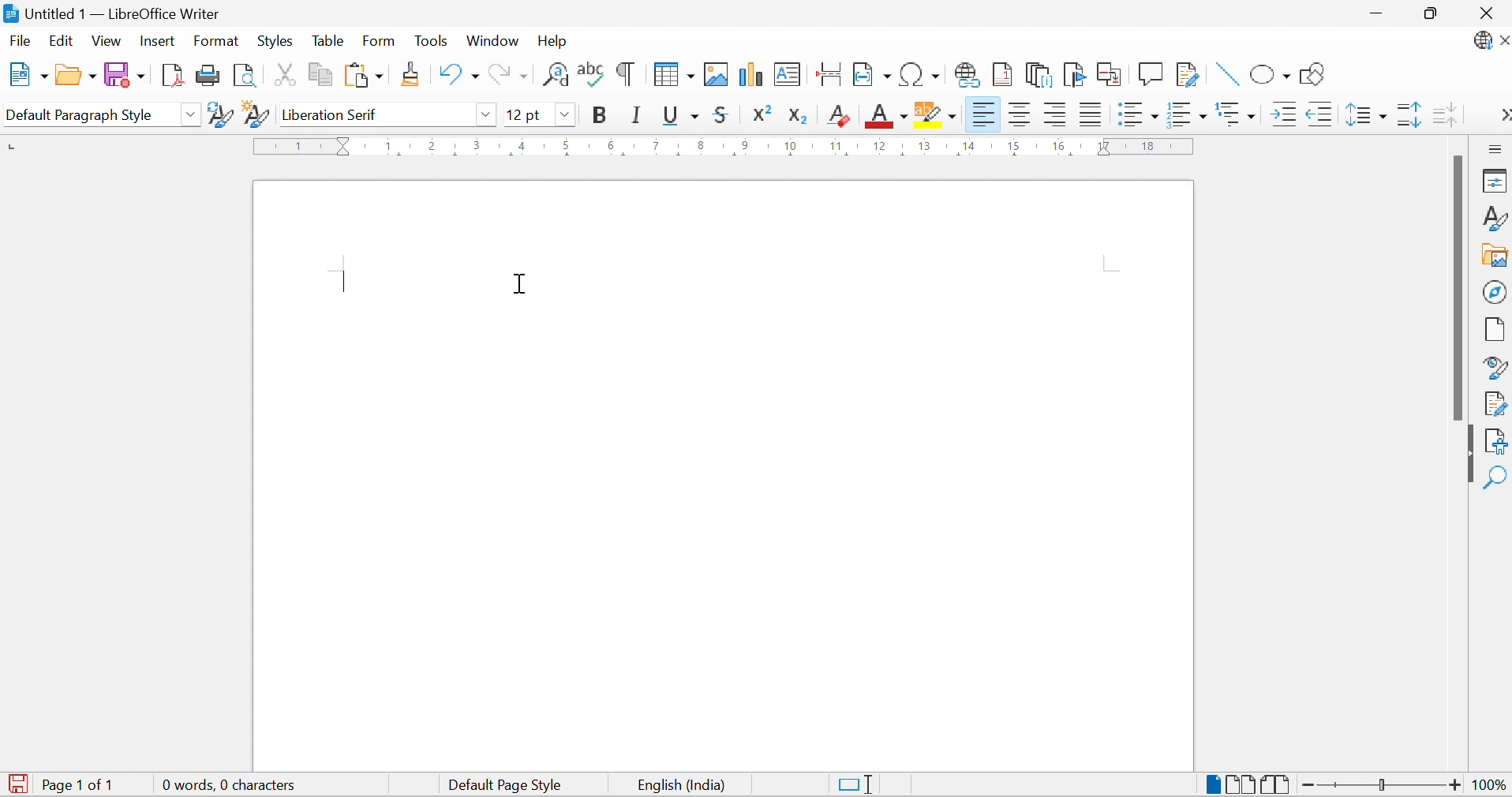  Describe the element at coordinates (827, 73) in the screenshot. I see `Insert Page Break` at that location.